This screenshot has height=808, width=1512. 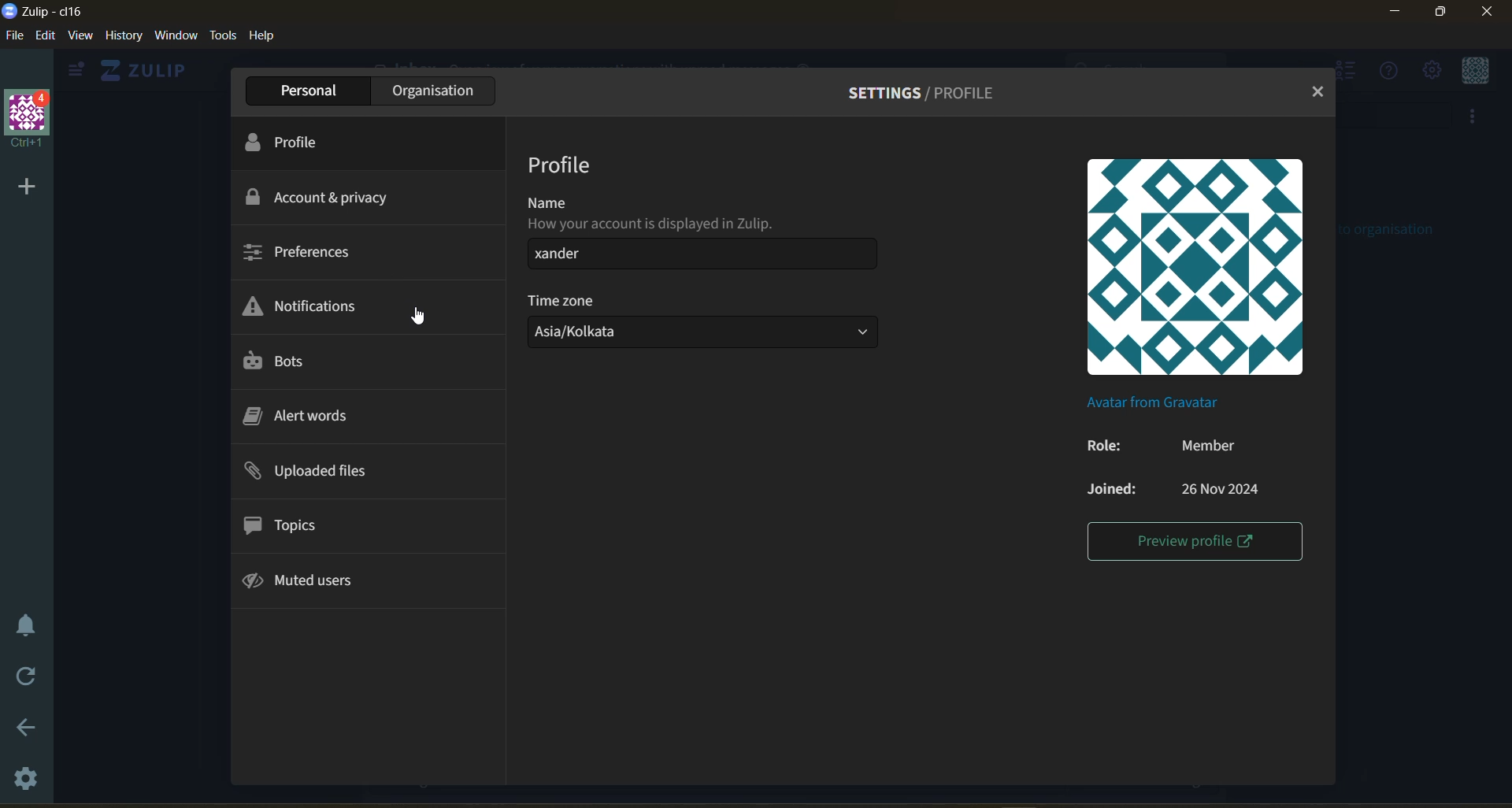 What do you see at coordinates (1194, 543) in the screenshot?
I see `preview profile` at bounding box center [1194, 543].